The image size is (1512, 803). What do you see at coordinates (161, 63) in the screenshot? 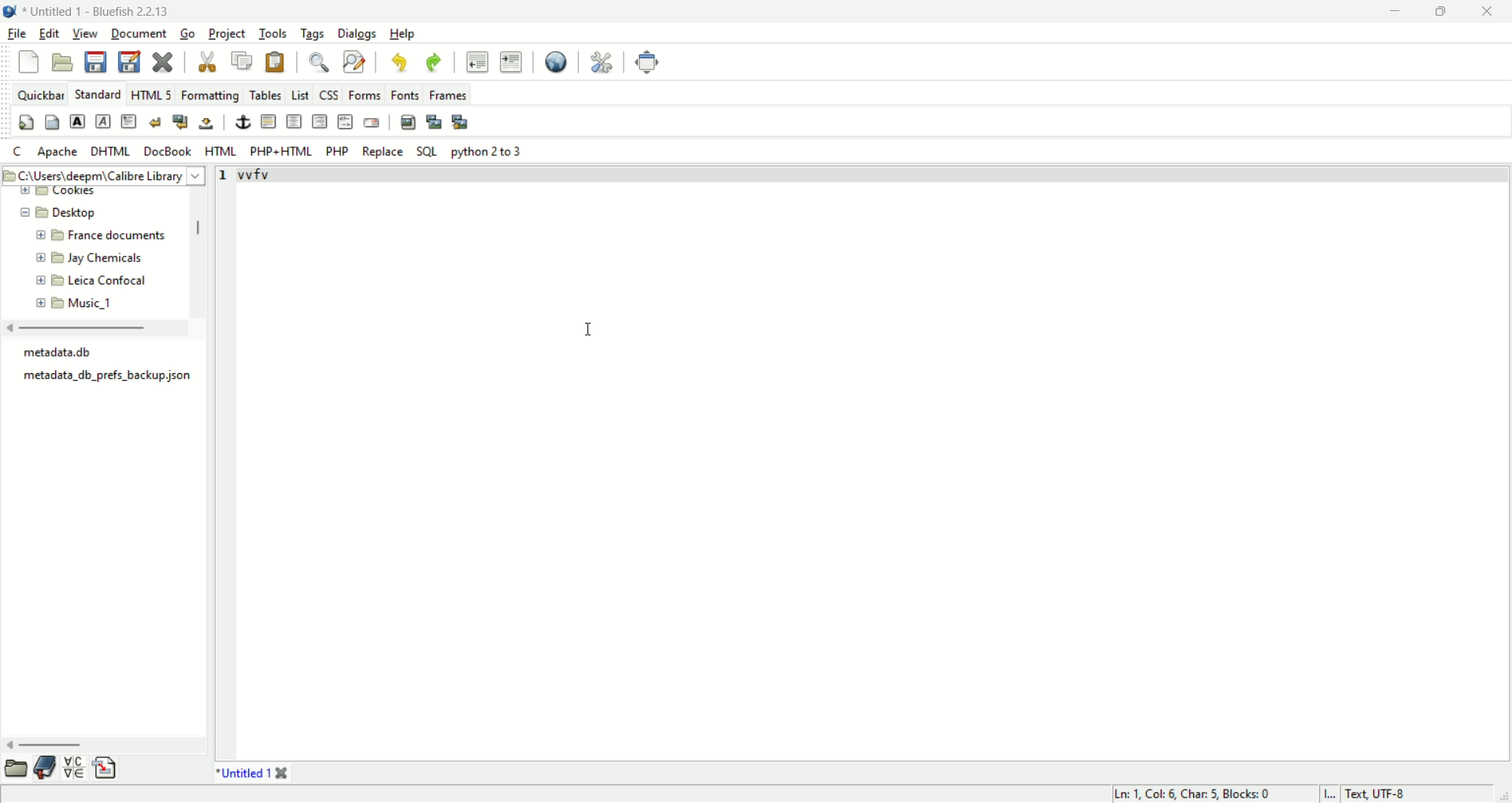
I see `close current file` at bounding box center [161, 63].